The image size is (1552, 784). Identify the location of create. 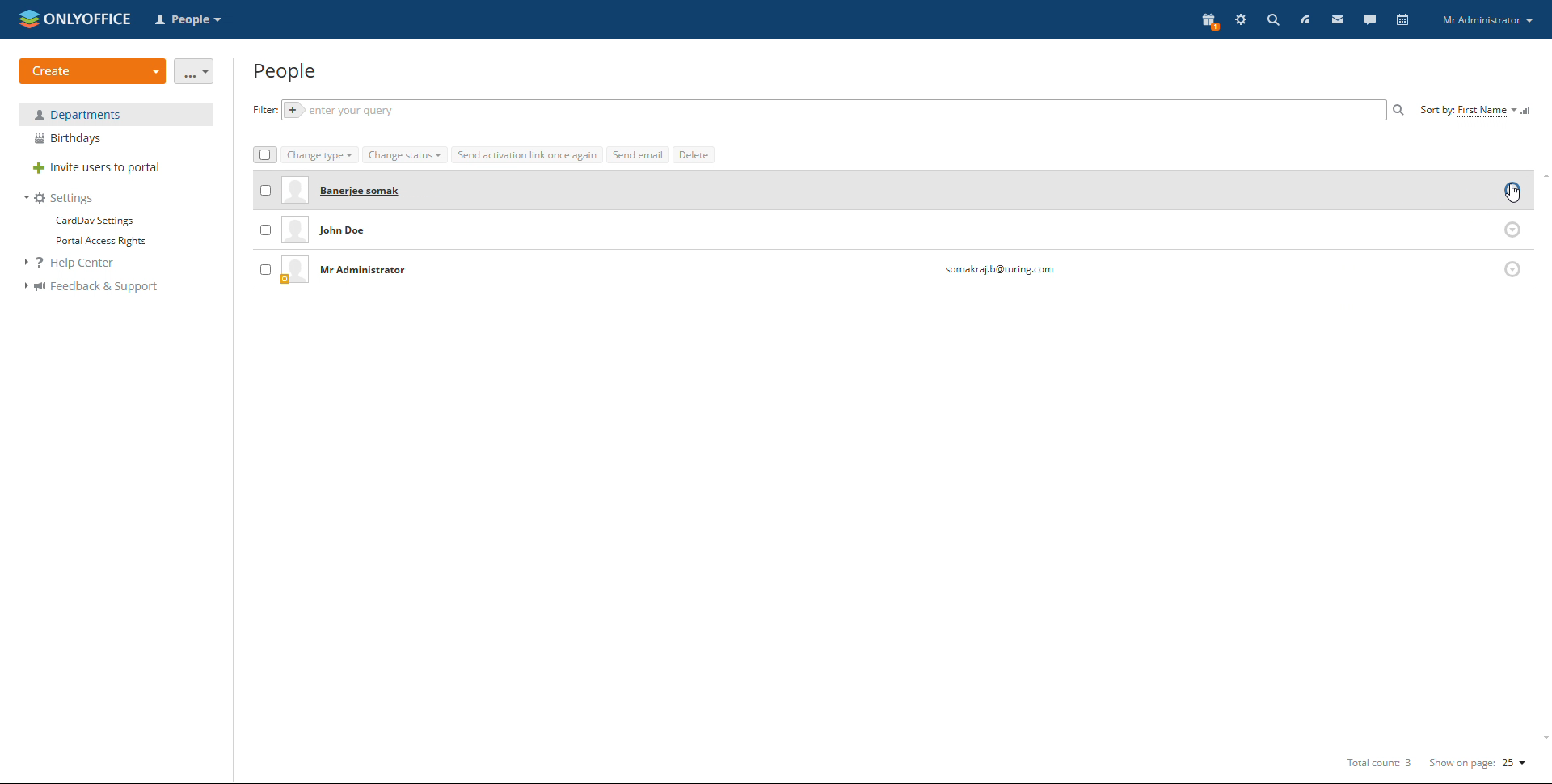
(93, 71).